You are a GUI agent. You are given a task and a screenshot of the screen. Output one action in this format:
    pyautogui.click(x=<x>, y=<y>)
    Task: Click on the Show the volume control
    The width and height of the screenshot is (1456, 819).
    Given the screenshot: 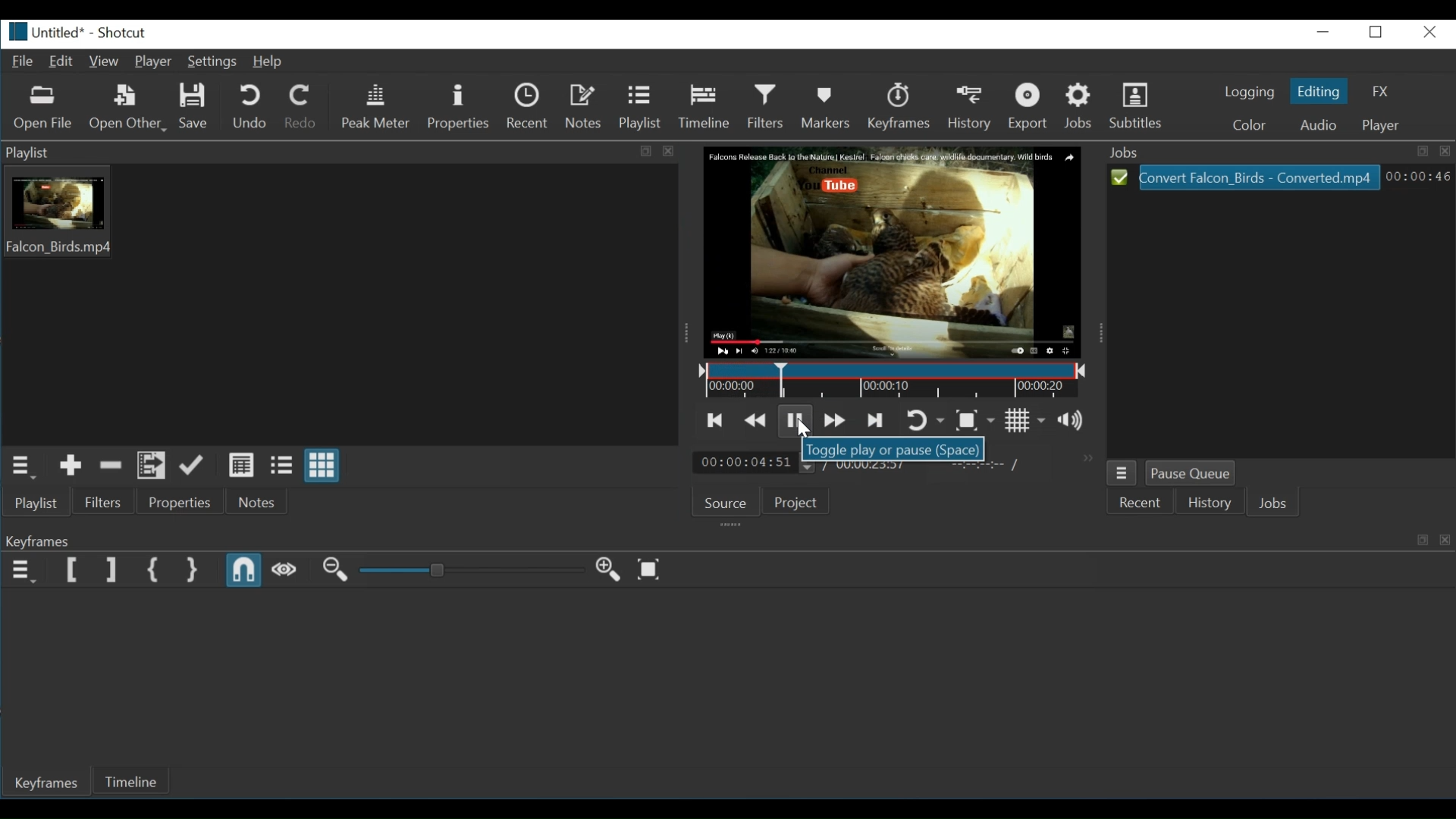 What is the action you would take?
    pyautogui.click(x=1072, y=420)
    